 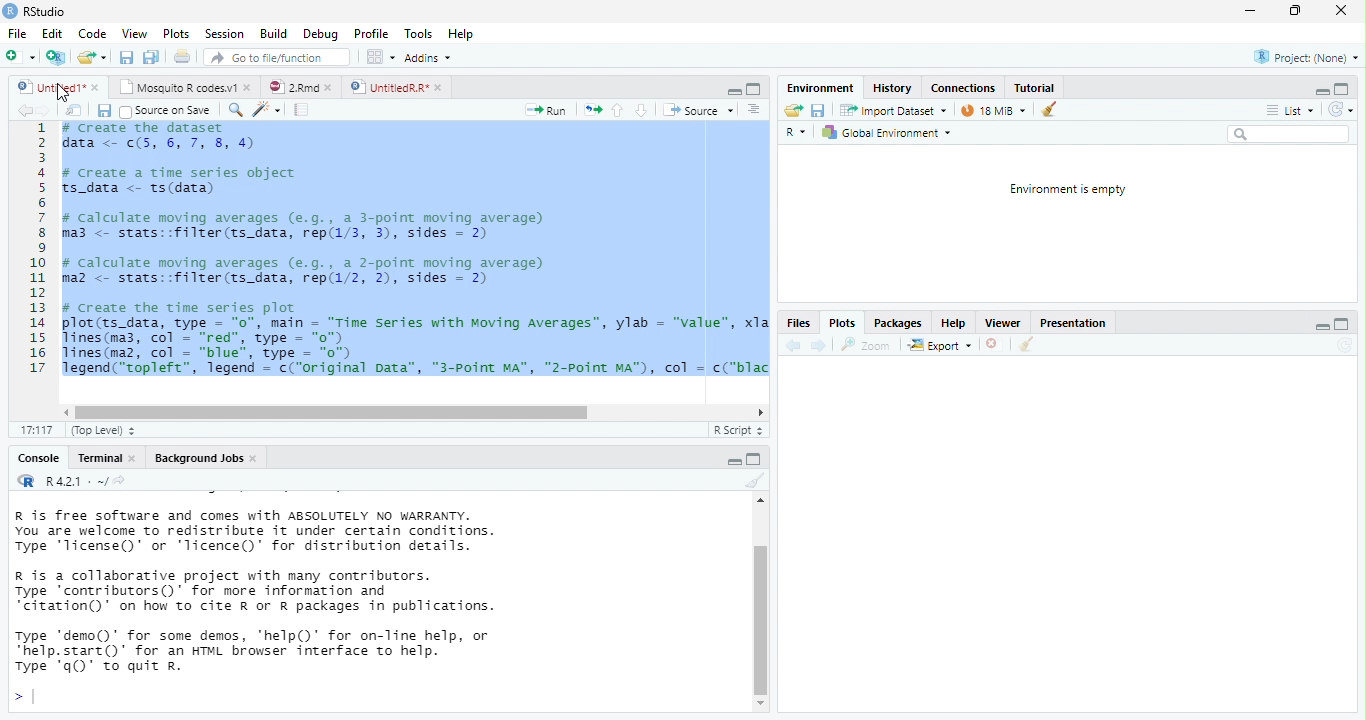 I want to click on re-run the previous code, so click(x=593, y=110).